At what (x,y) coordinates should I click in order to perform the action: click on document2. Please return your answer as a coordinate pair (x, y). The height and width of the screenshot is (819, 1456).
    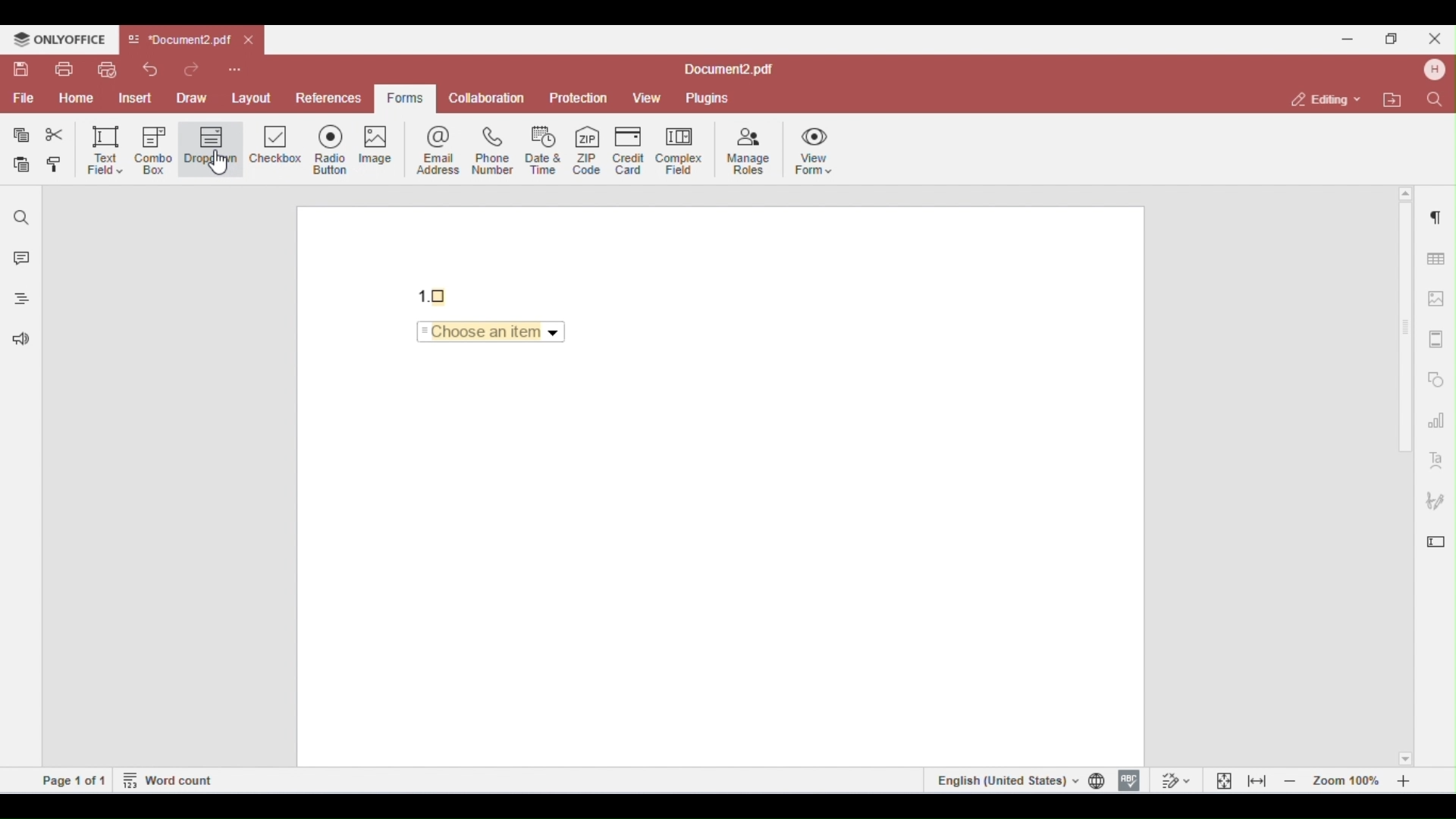
    Looking at the image, I should click on (729, 70).